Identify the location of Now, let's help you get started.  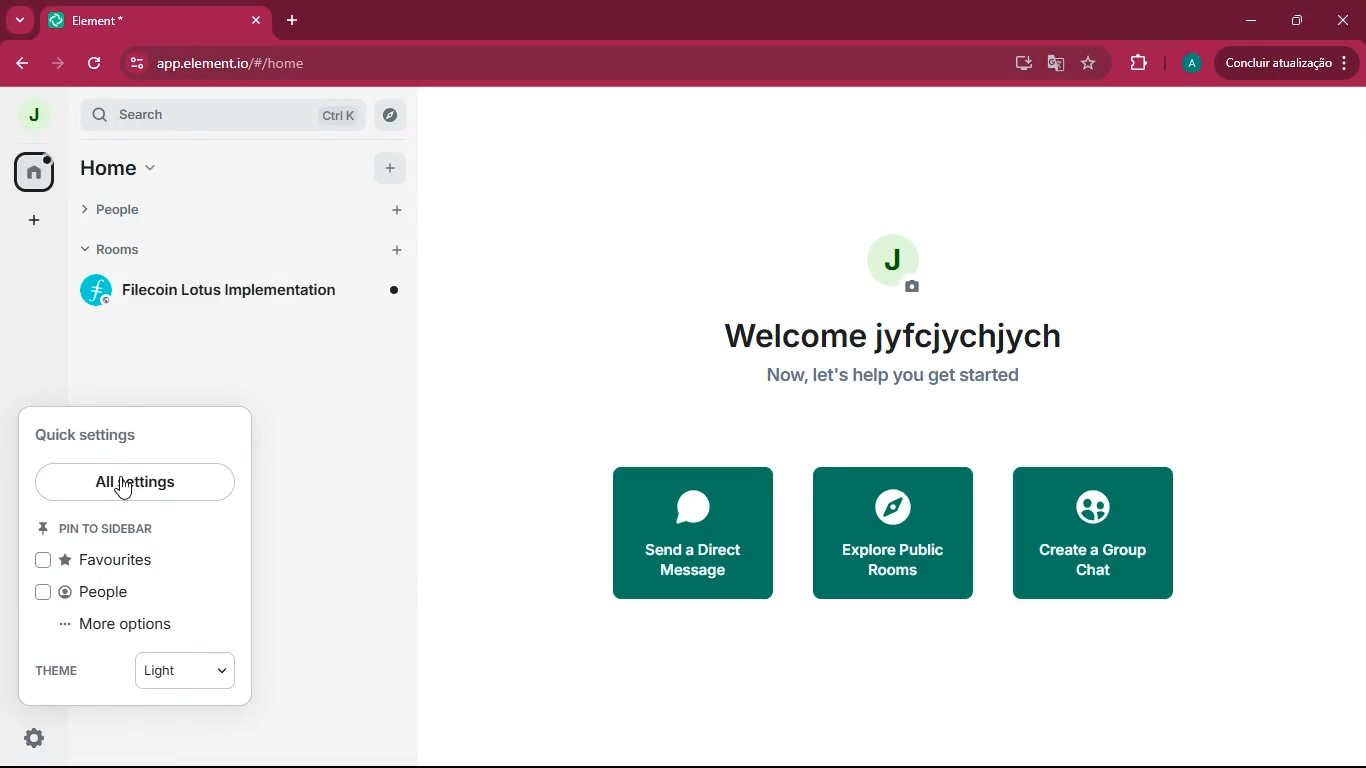
(892, 379).